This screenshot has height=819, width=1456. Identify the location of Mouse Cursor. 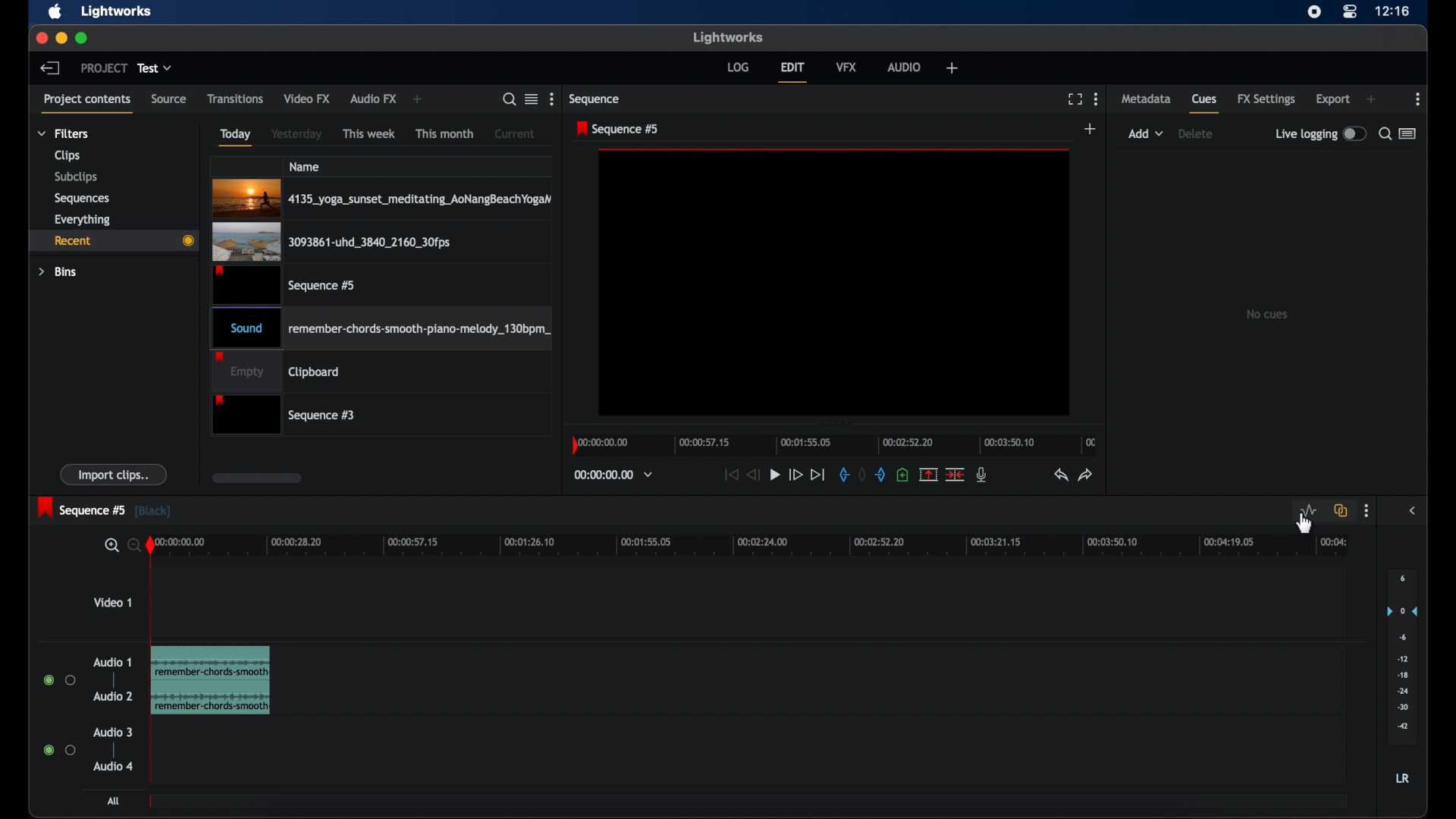
(1305, 527).